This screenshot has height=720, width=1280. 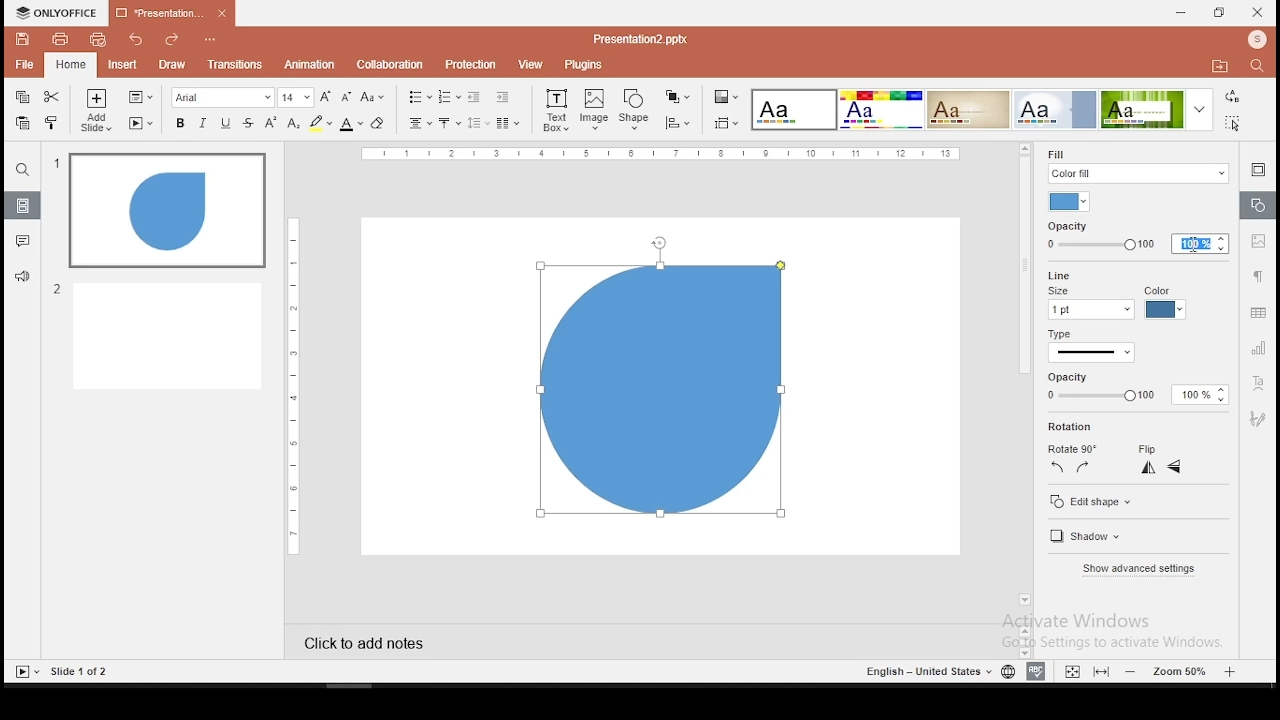 I want to click on zoom in, so click(x=1132, y=671).